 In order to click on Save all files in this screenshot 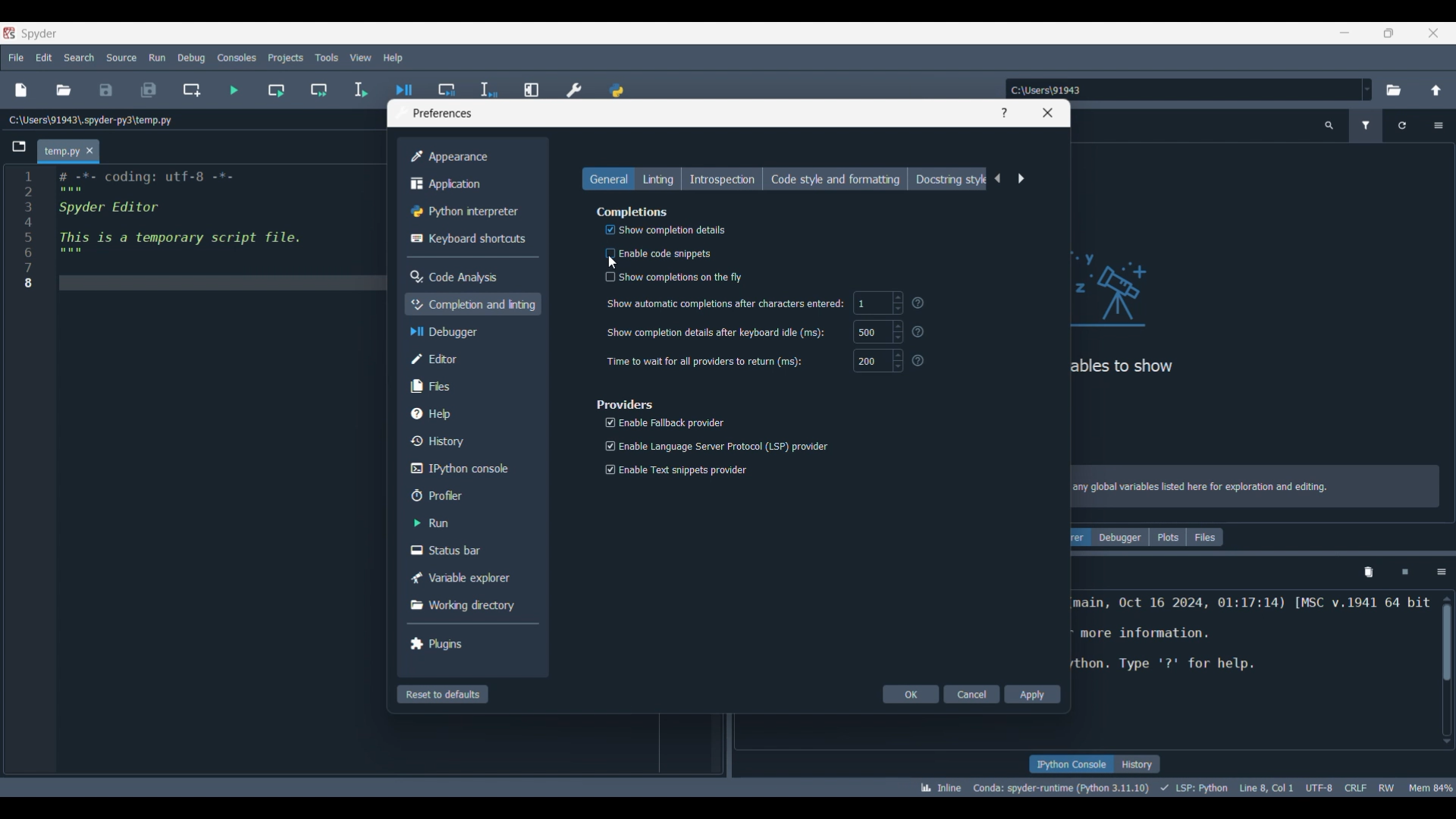, I will do `click(149, 90)`.